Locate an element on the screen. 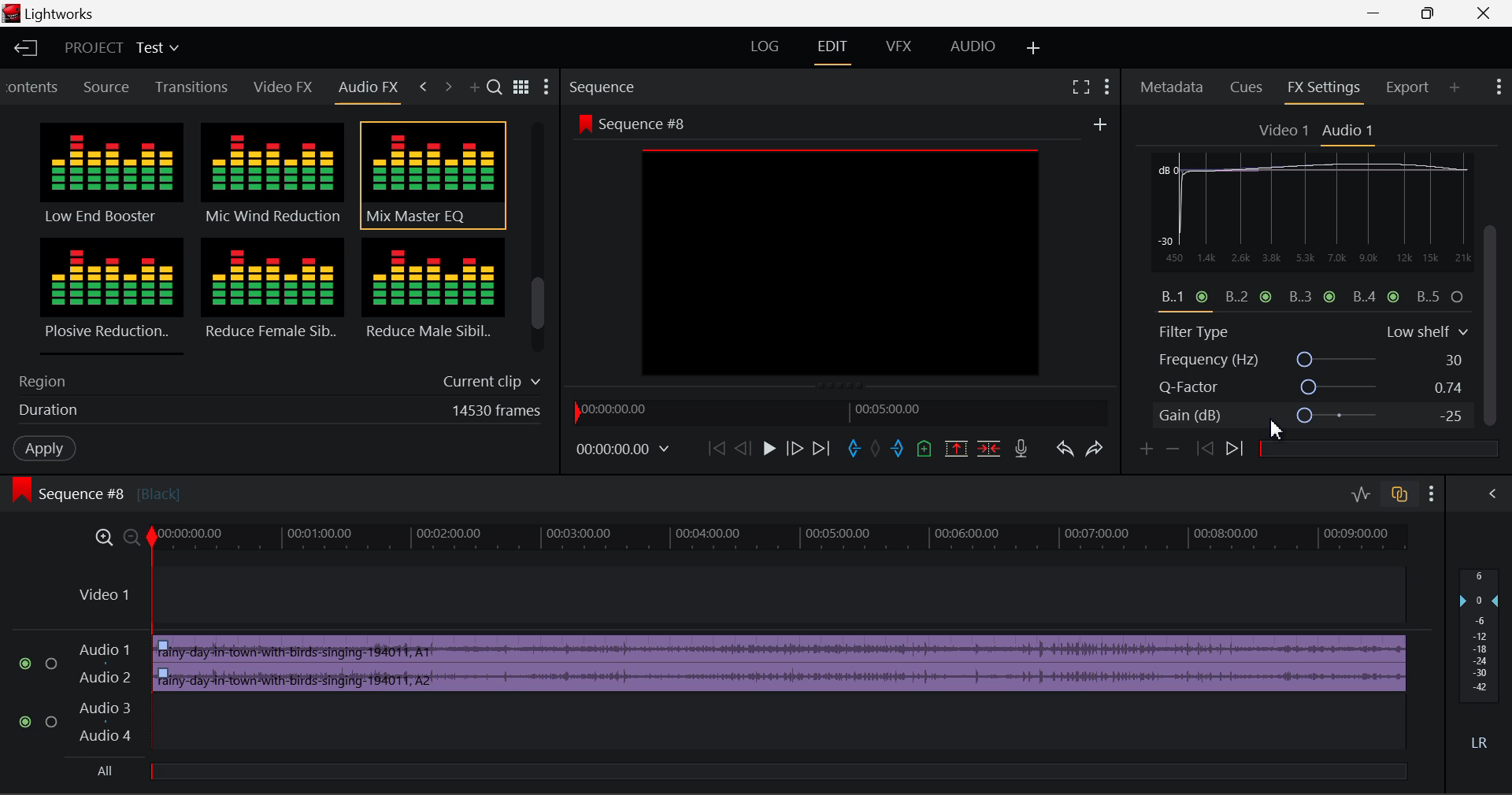 This screenshot has width=1512, height=795. Cursor Position AFTER_LAST_ACTION is located at coordinates (1273, 431).